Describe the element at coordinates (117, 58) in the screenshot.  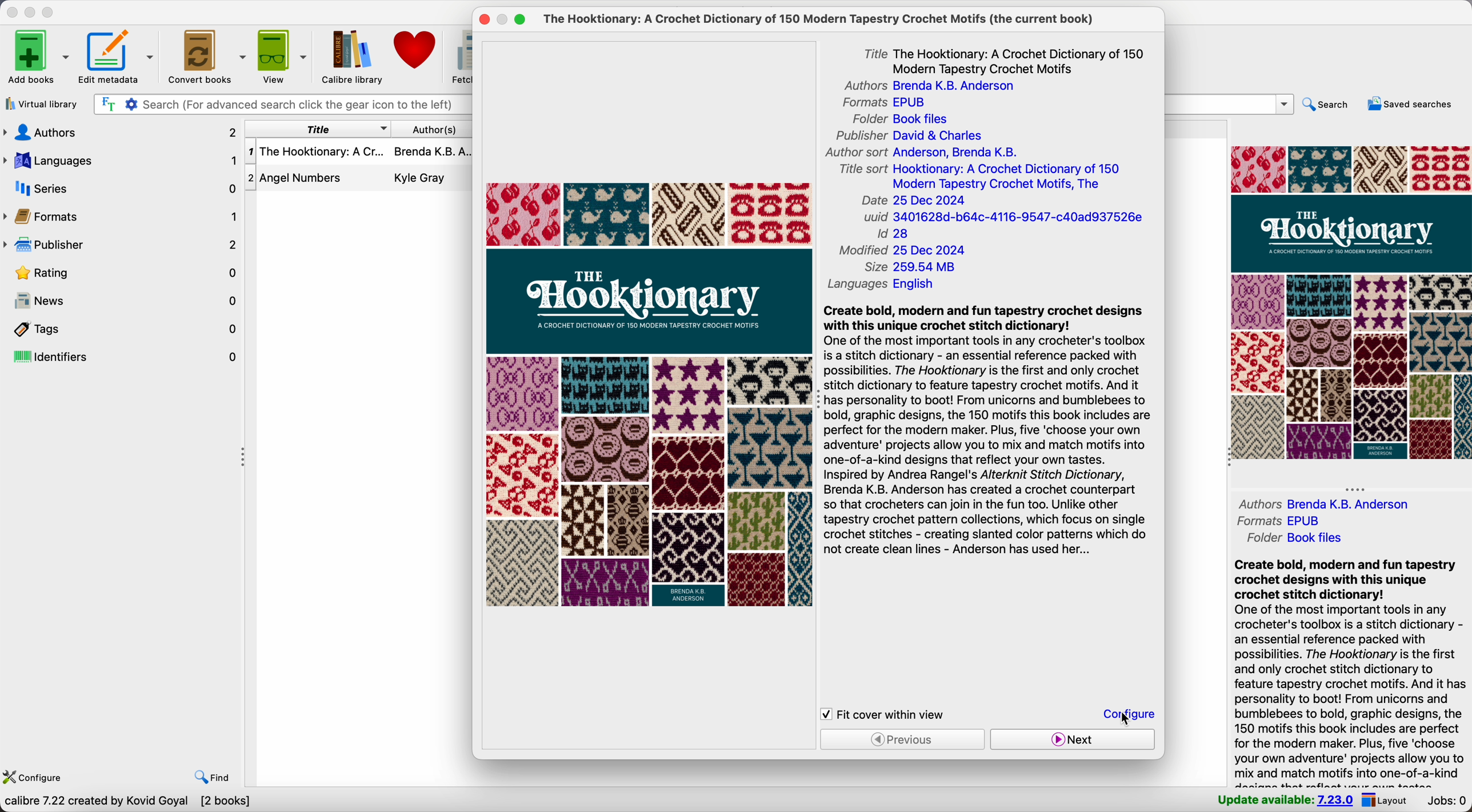
I see `edit metadata` at that location.